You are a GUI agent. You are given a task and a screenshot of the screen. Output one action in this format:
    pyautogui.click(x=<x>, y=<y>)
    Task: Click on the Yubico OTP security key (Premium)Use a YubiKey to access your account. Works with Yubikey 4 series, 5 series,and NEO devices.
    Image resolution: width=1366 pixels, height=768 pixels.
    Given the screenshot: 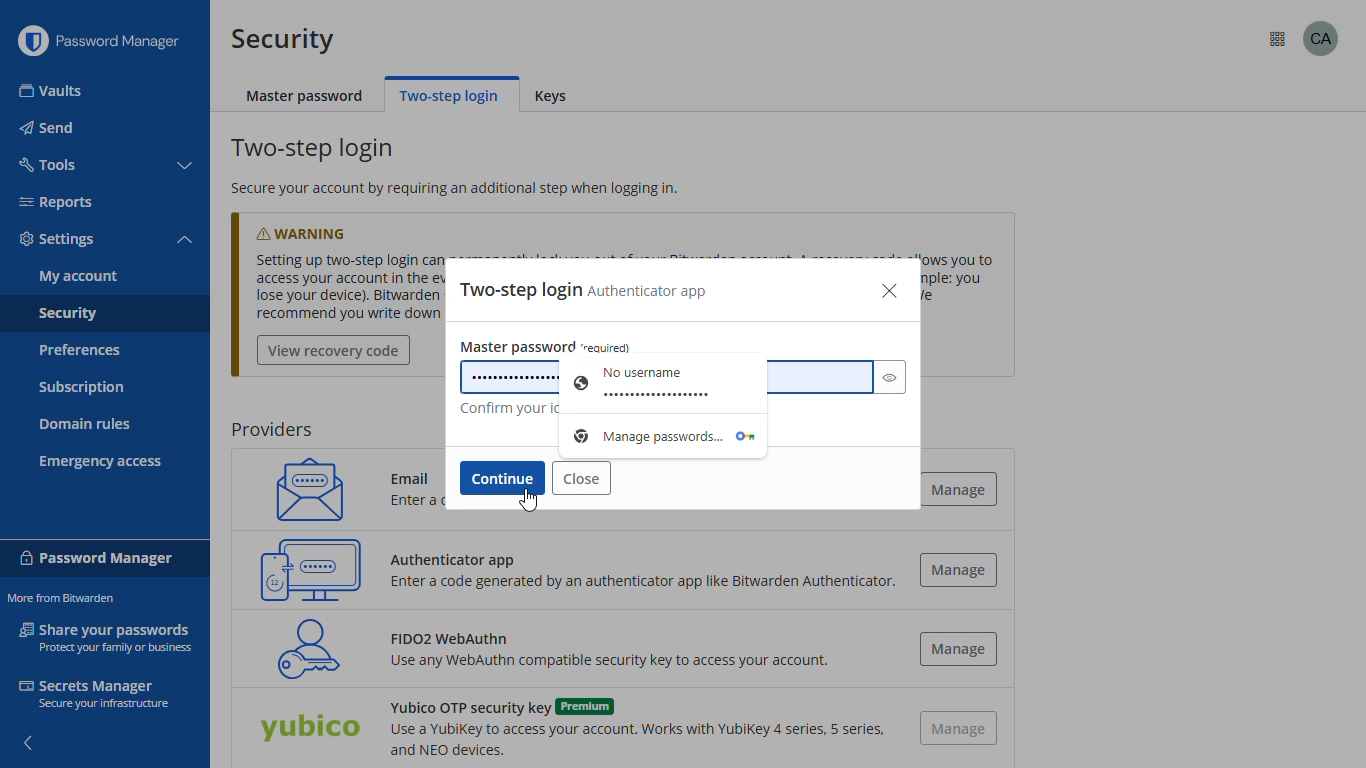 What is the action you would take?
    pyautogui.click(x=634, y=728)
    